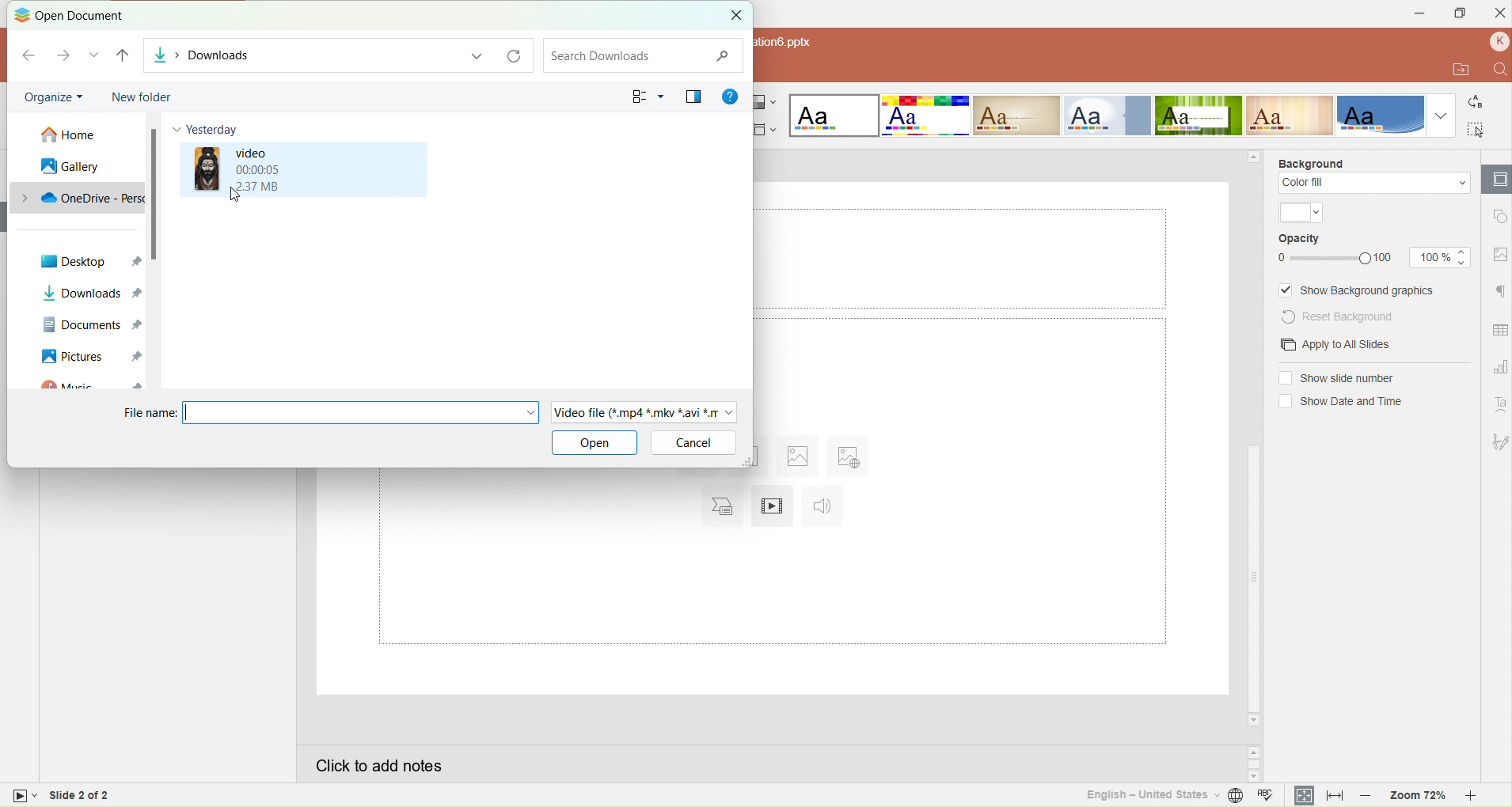  Describe the element at coordinates (1441, 257) in the screenshot. I see `Opacity size` at that location.